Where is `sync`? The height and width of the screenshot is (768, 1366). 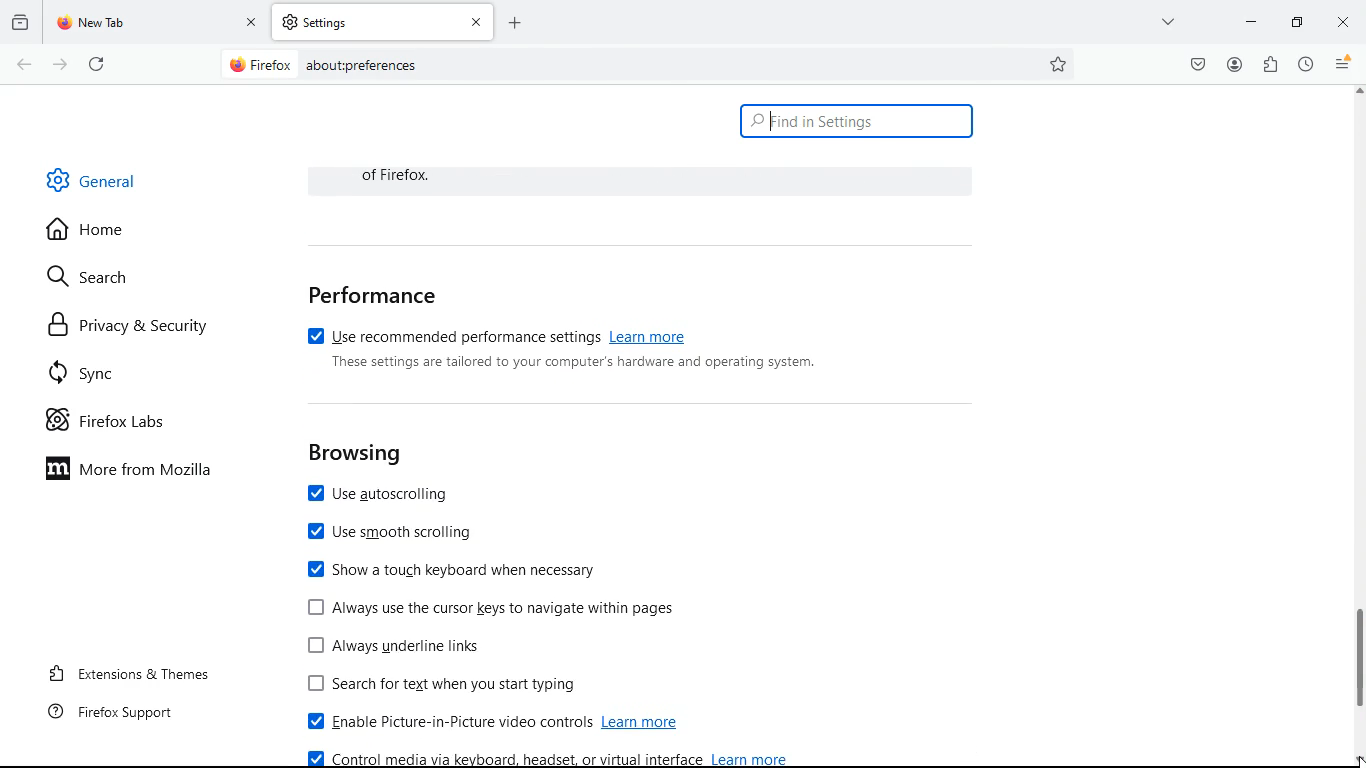
sync is located at coordinates (95, 373).